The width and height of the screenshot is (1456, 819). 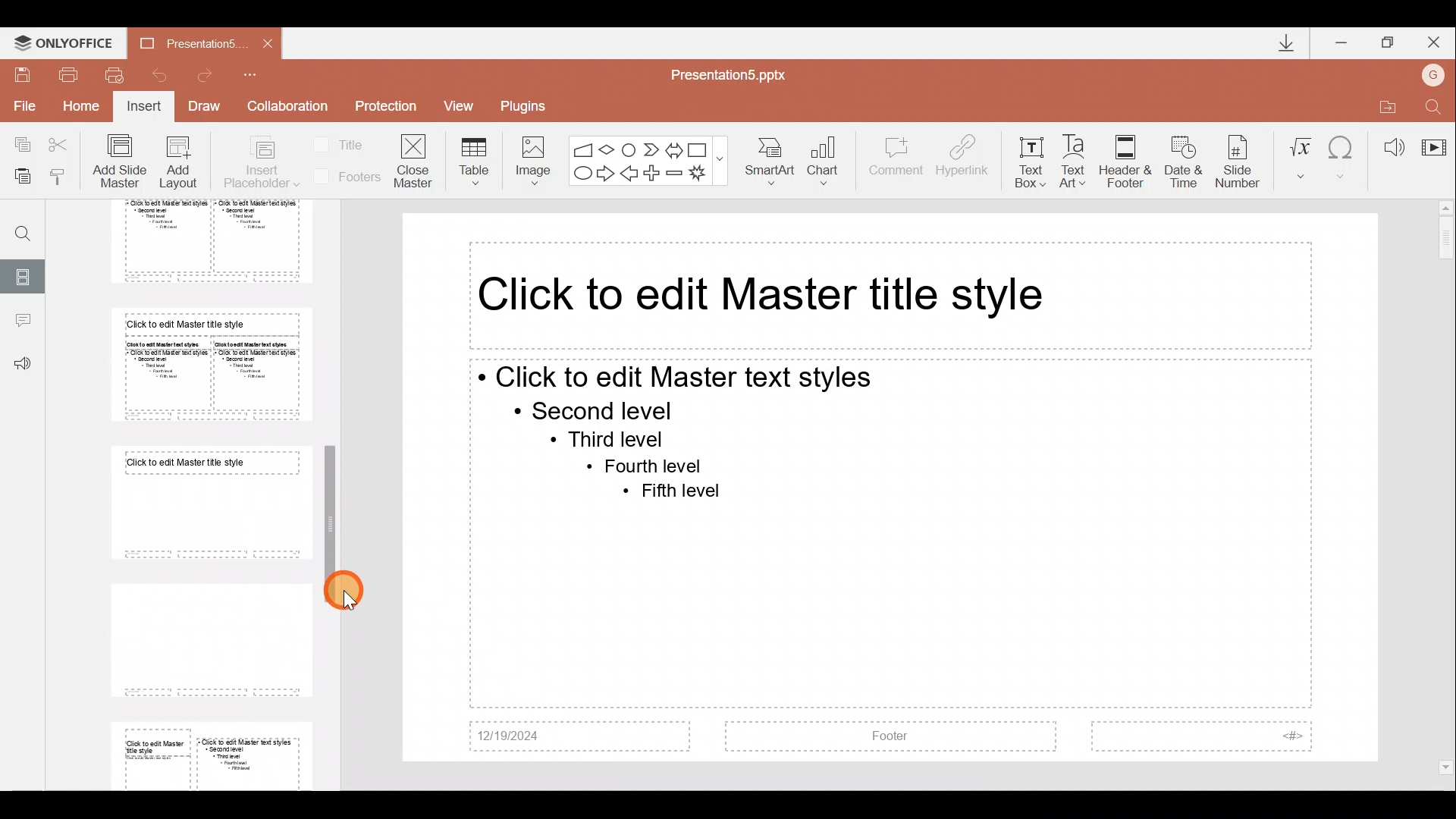 I want to click on Add layout, so click(x=179, y=165).